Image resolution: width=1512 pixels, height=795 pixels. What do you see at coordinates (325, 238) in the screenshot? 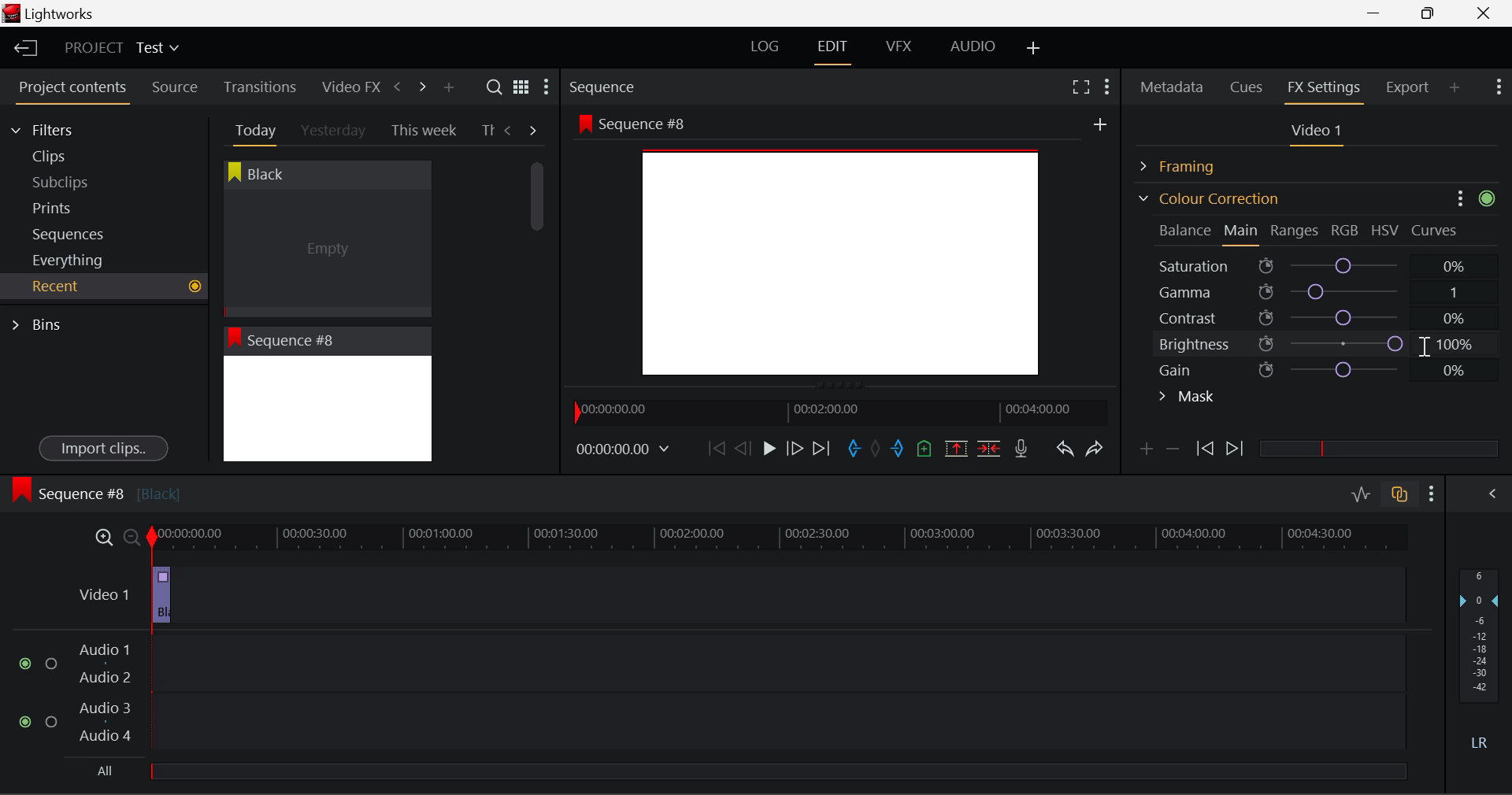
I see `Cursor MOUSE_DOWN on Black Clip` at bounding box center [325, 238].